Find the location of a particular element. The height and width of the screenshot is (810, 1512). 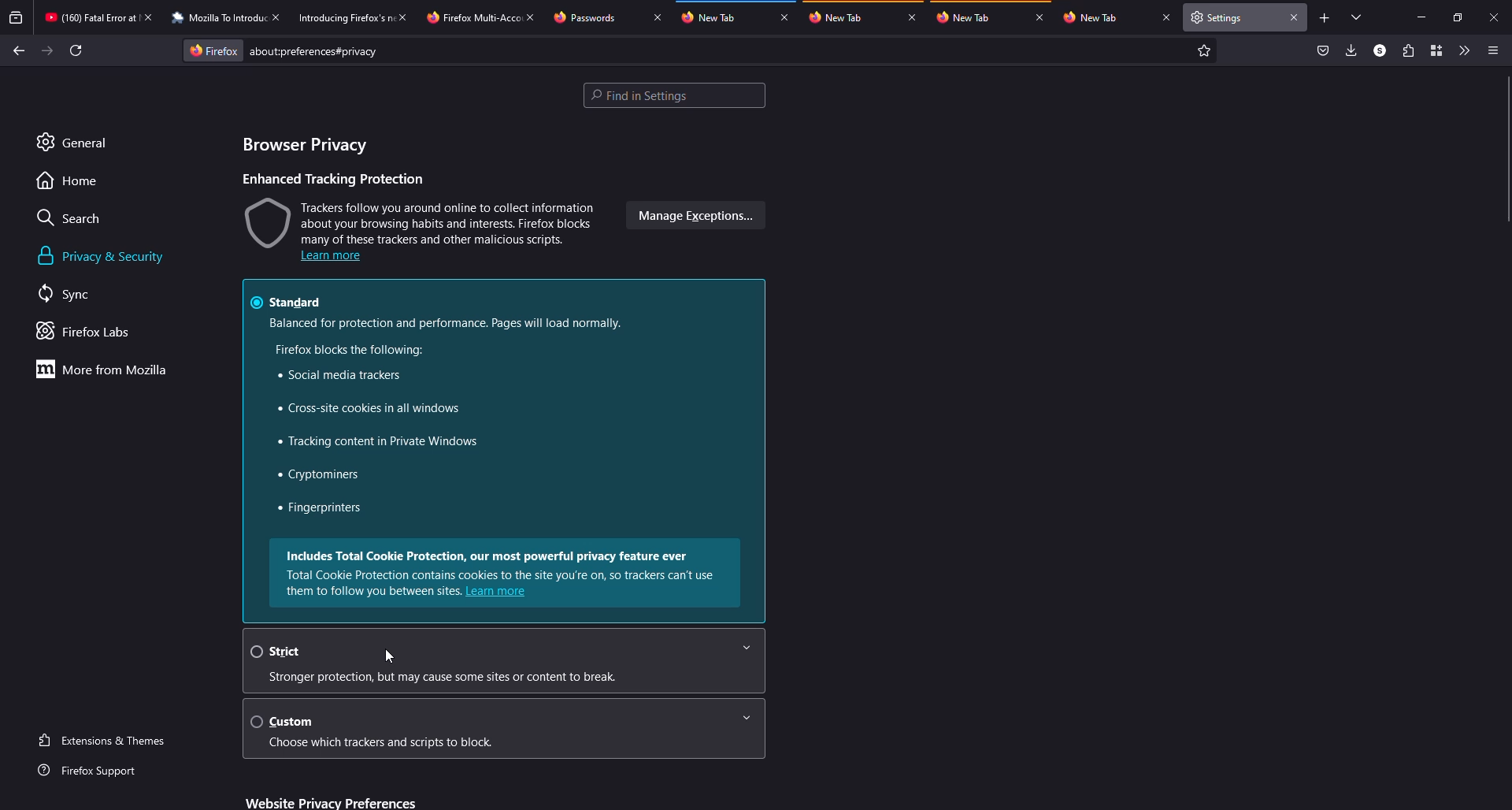

tab is located at coordinates (709, 17).